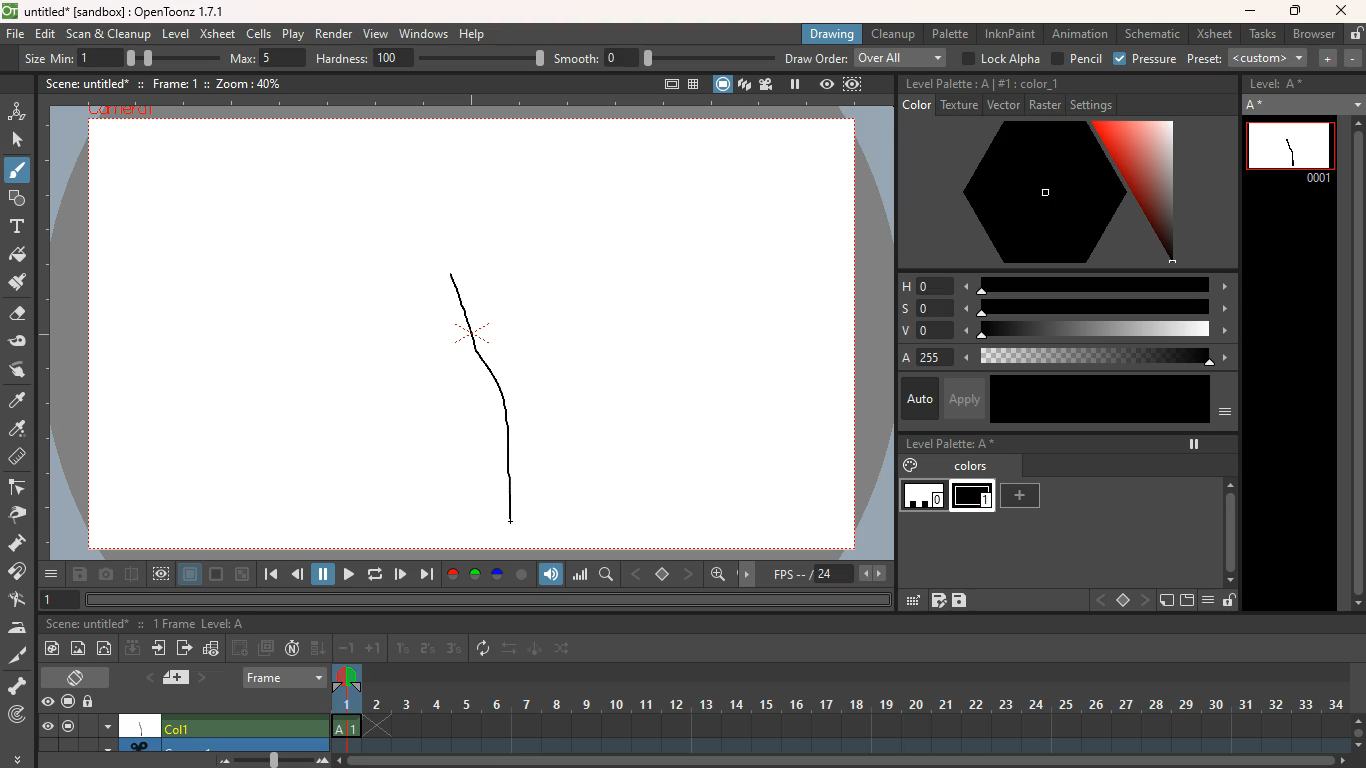 The width and height of the screenshot is (1366, 768). Describe the element at coordinates (225, 744) in the screenshot. I see `another scenario` at that location.